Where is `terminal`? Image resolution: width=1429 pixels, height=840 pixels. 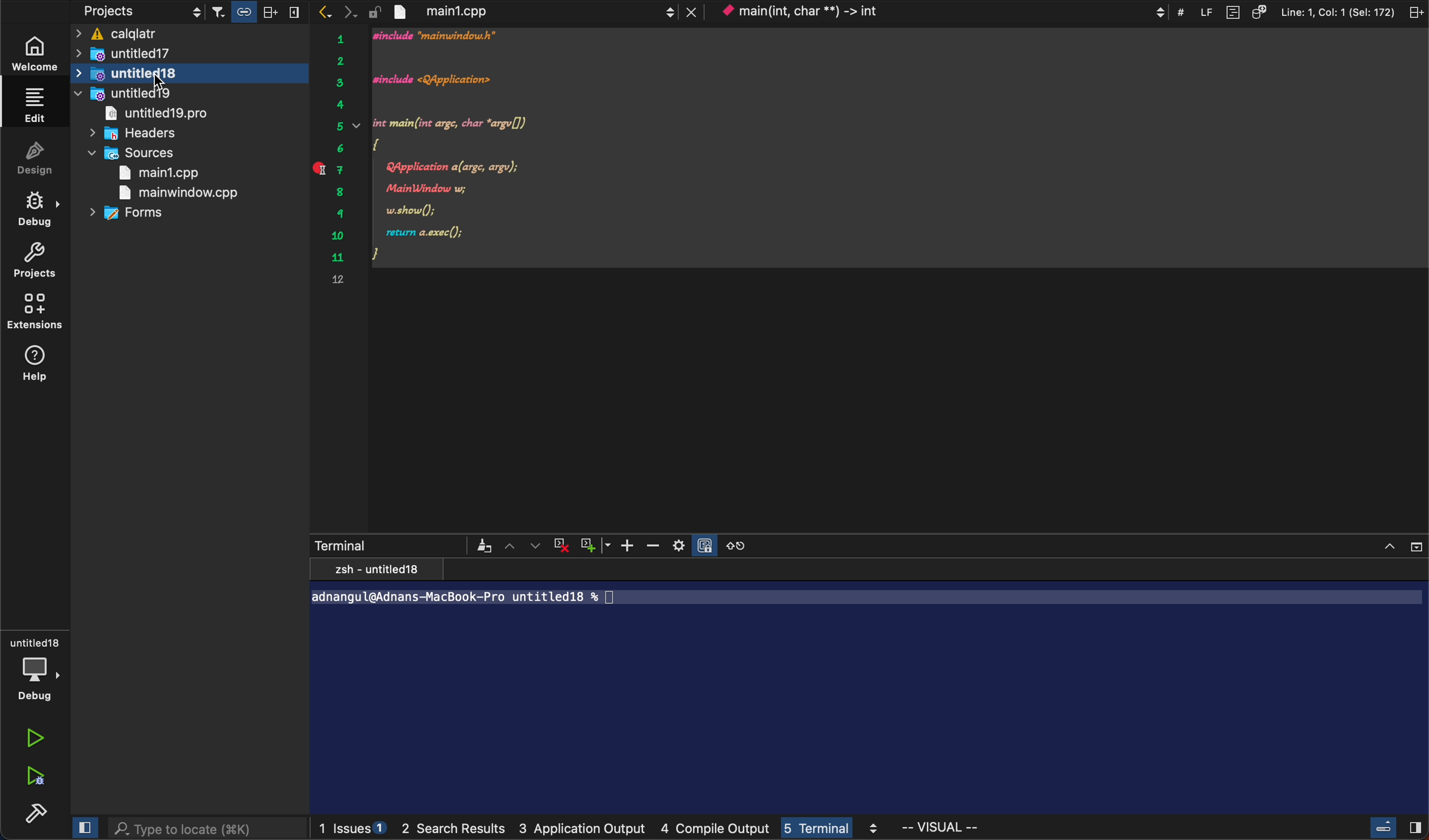
terminal is located at coordinates (389, 545).